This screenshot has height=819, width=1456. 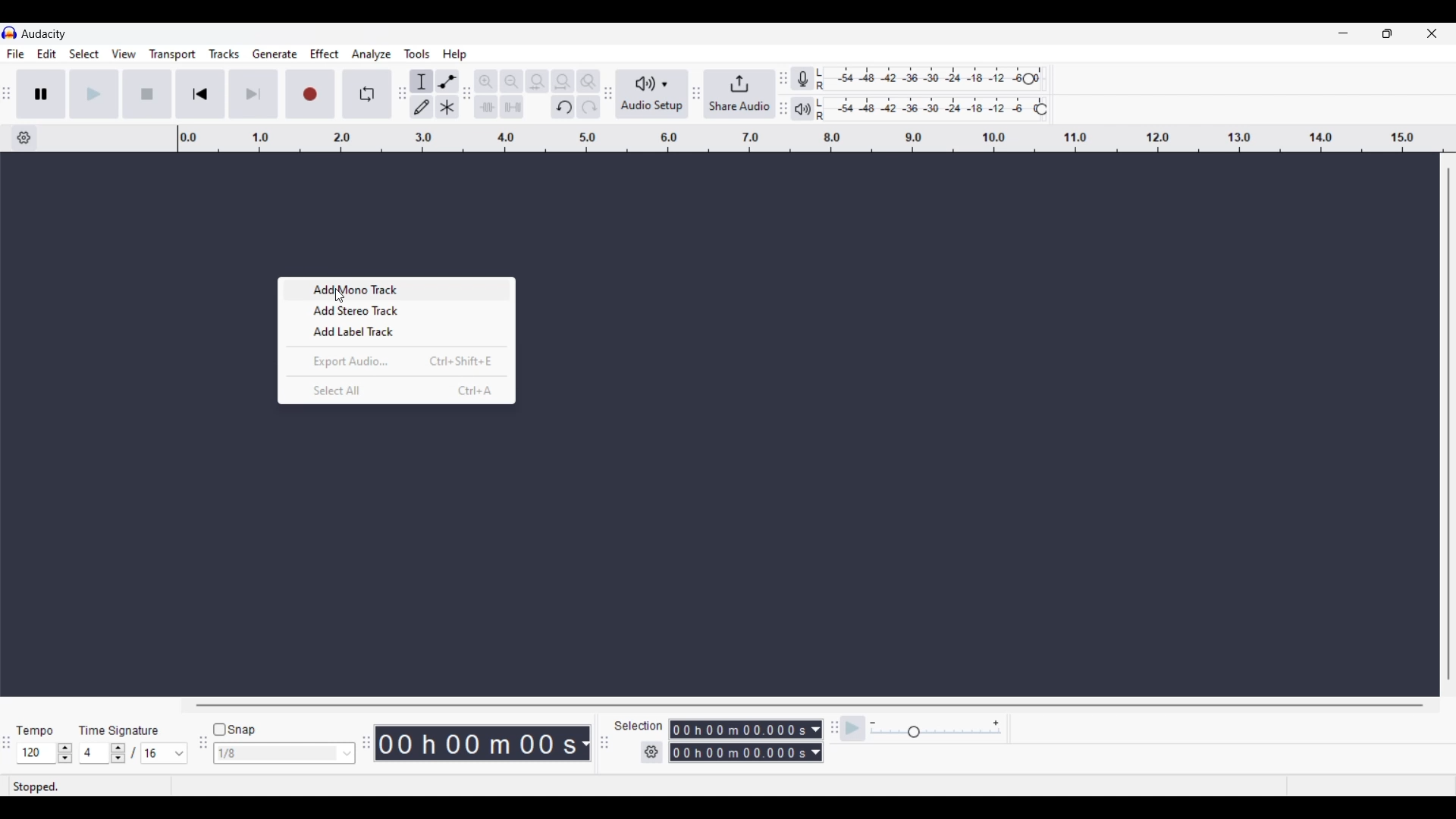 I want to click on Selection settings, so click(x=652, y=752).